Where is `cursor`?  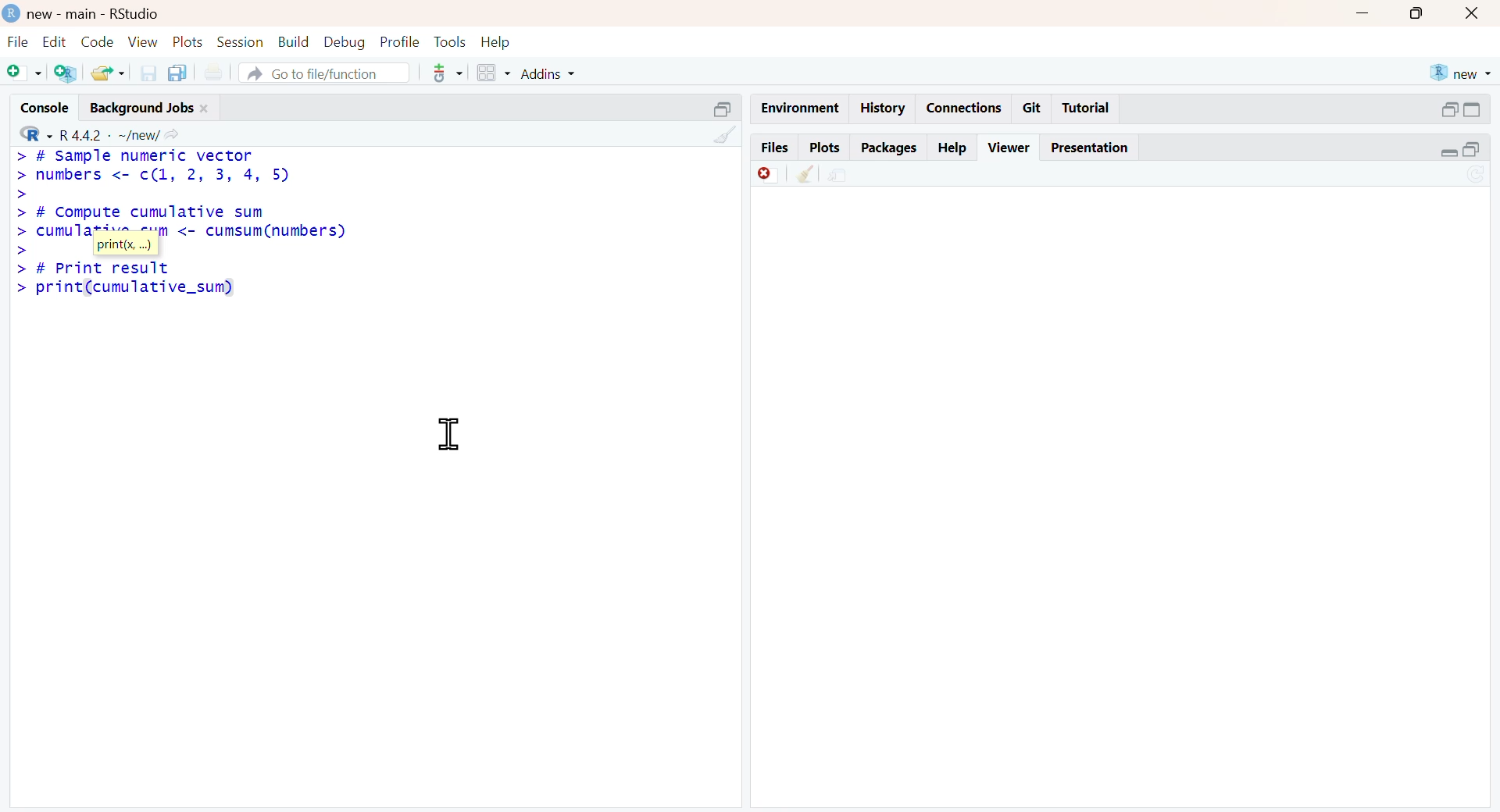
cursor is located at coordinates (448, 436).